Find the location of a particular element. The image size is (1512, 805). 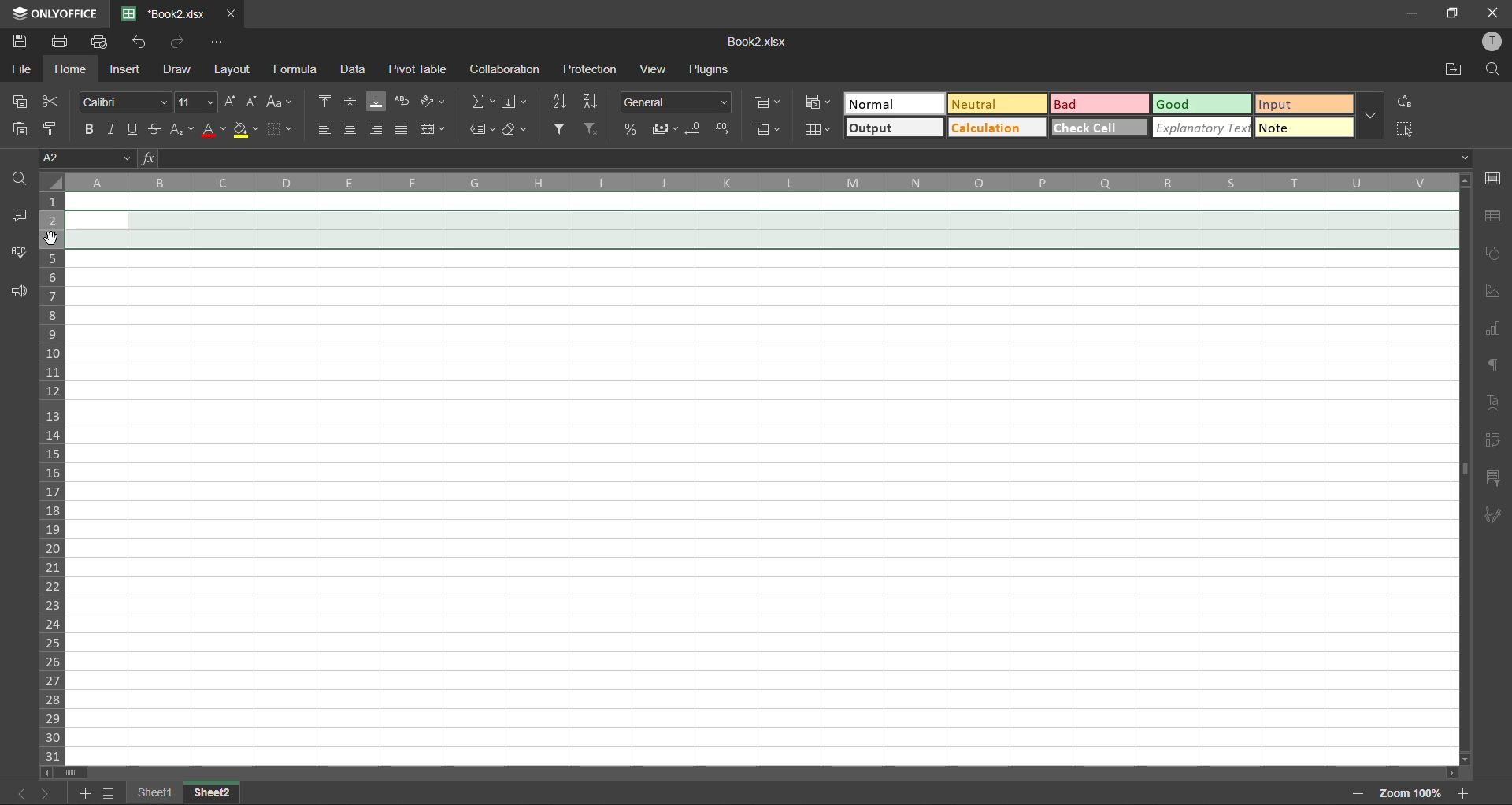

clear filter is located at coordinates (591, 130).